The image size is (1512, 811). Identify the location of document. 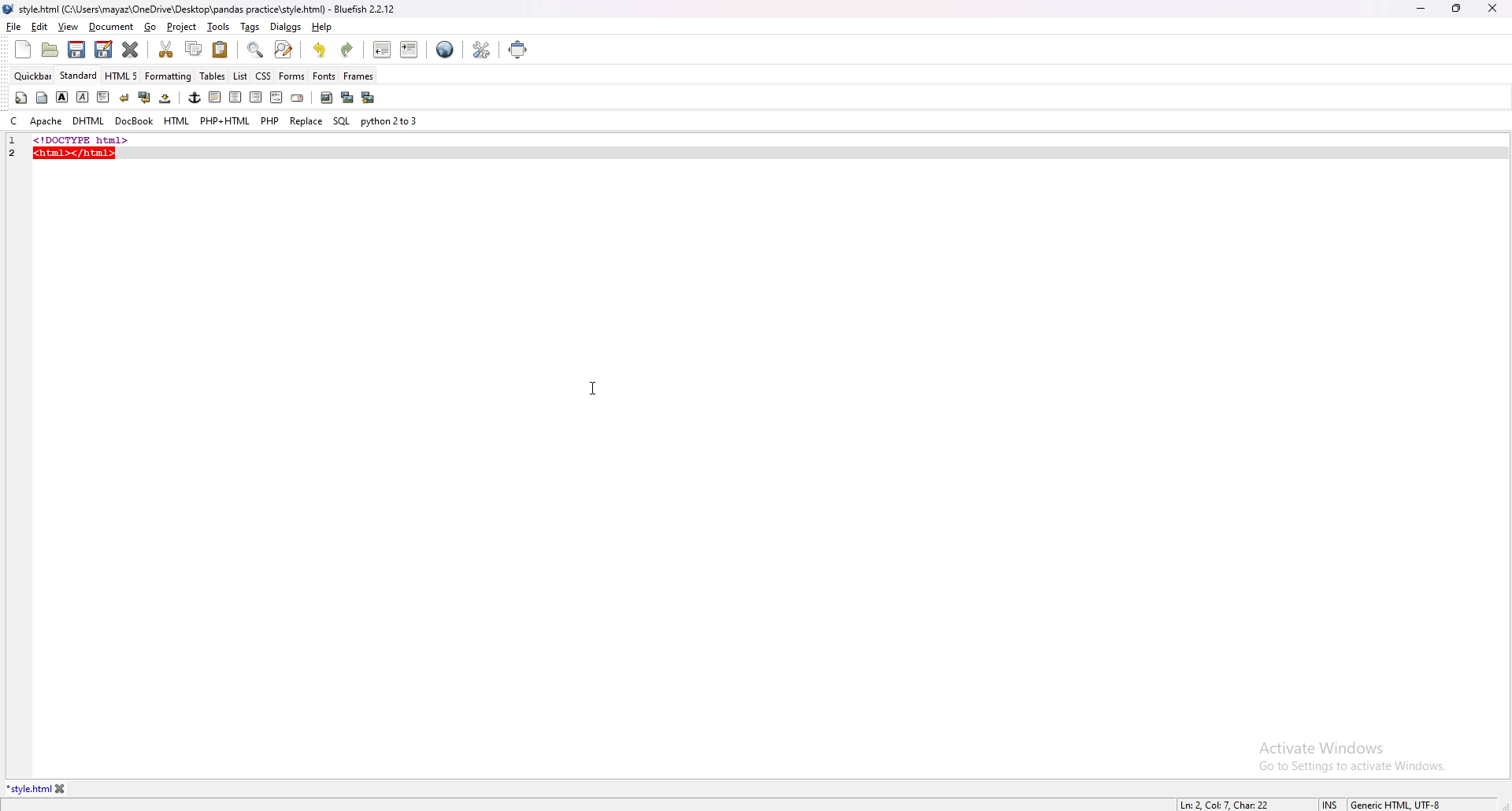
(112, 28).